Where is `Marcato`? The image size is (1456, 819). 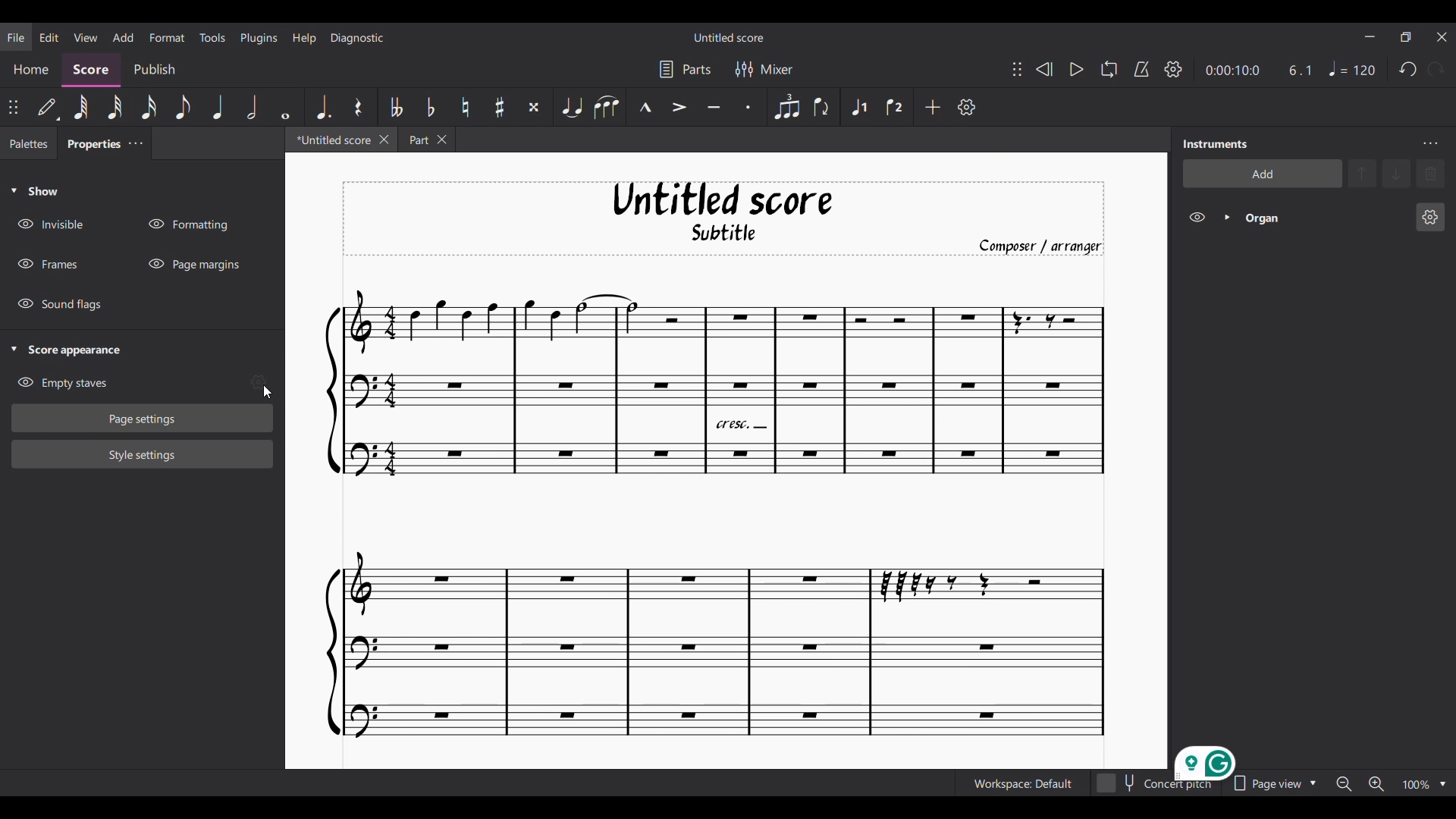 Marcato is located at coordinates (644, 108).